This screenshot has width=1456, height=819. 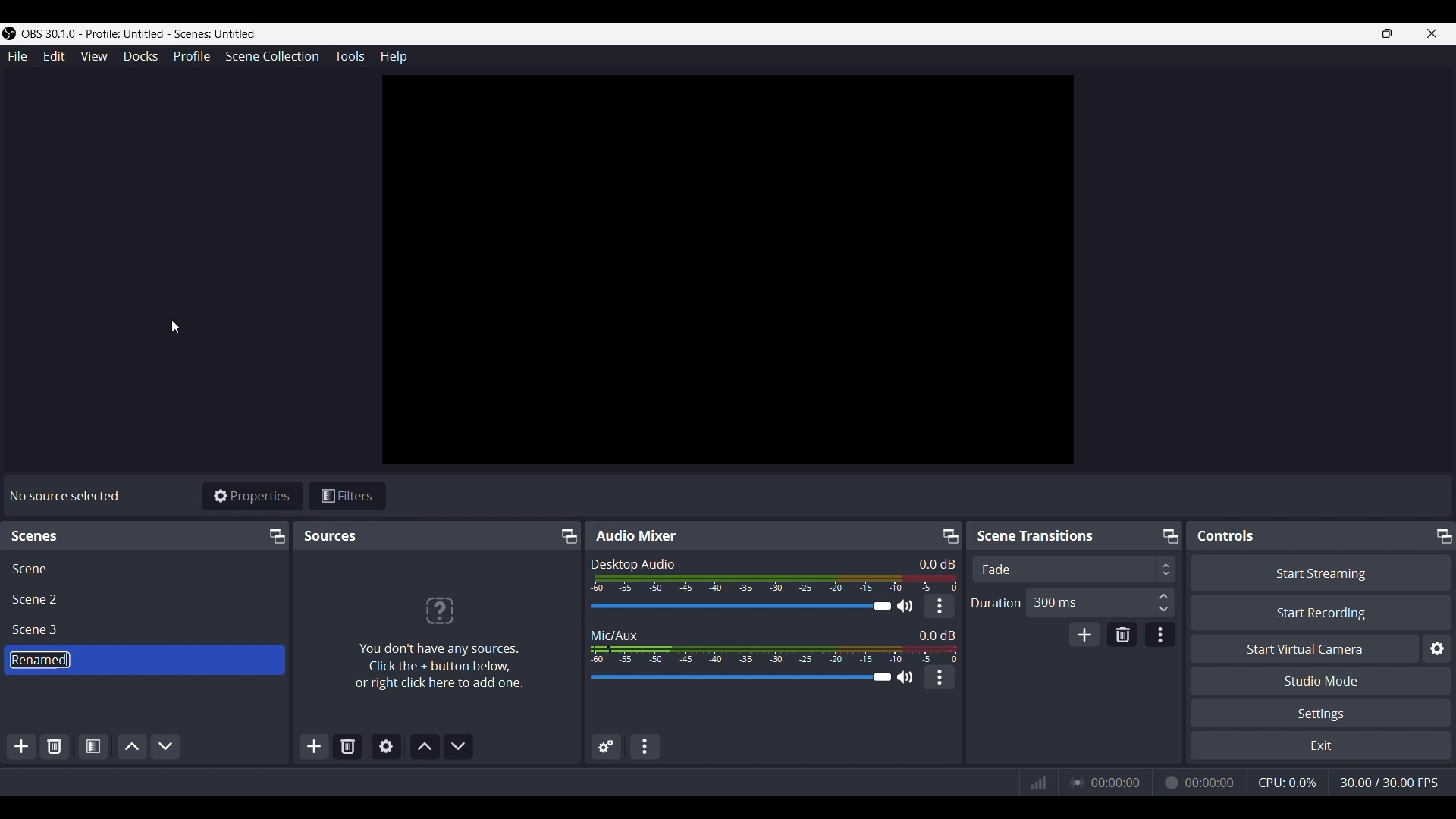 I want to click on Scene 3, so click(x=39, y=630).